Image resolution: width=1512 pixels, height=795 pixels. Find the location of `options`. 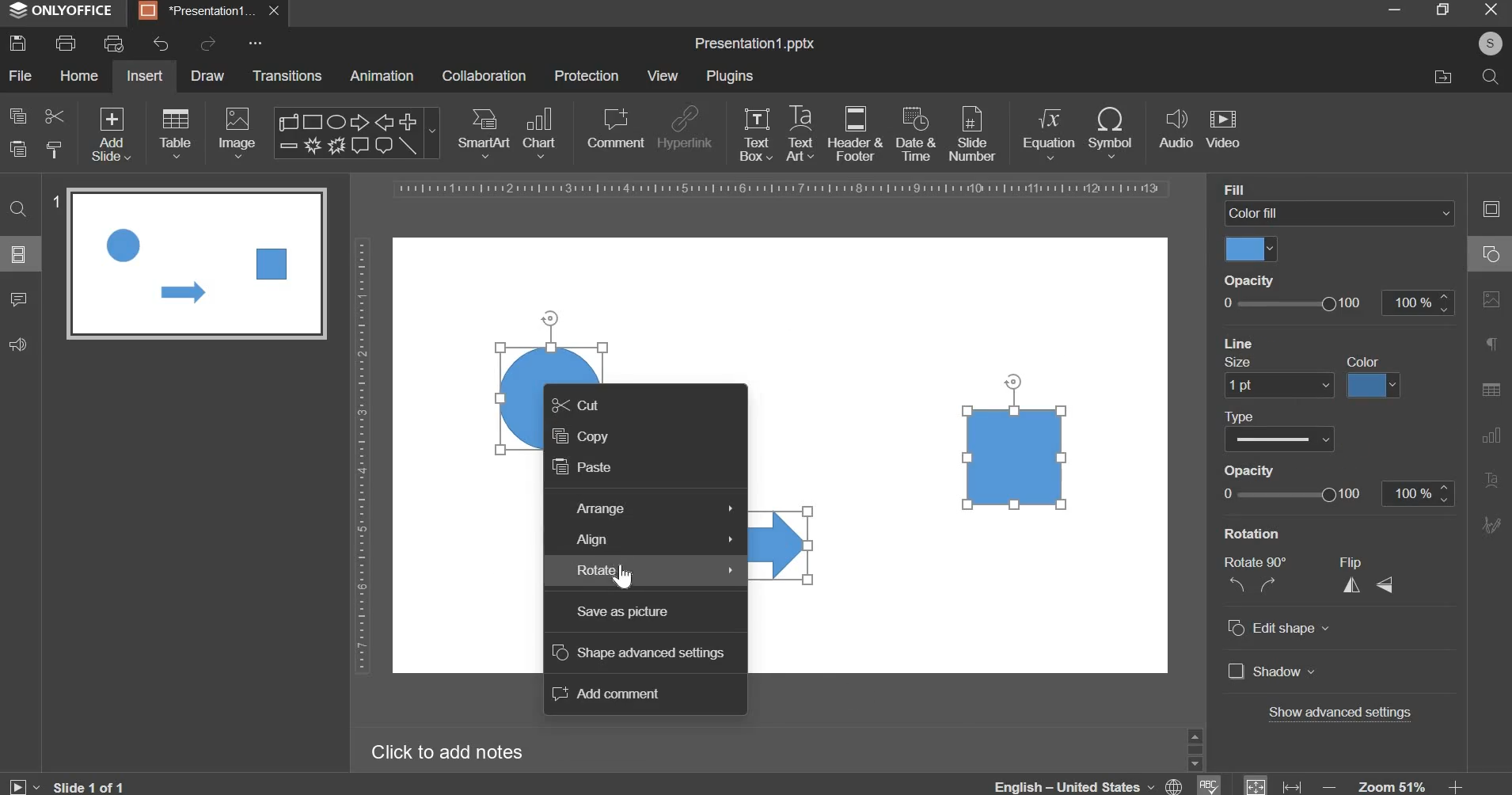

options is located at coordinates (256, 45).